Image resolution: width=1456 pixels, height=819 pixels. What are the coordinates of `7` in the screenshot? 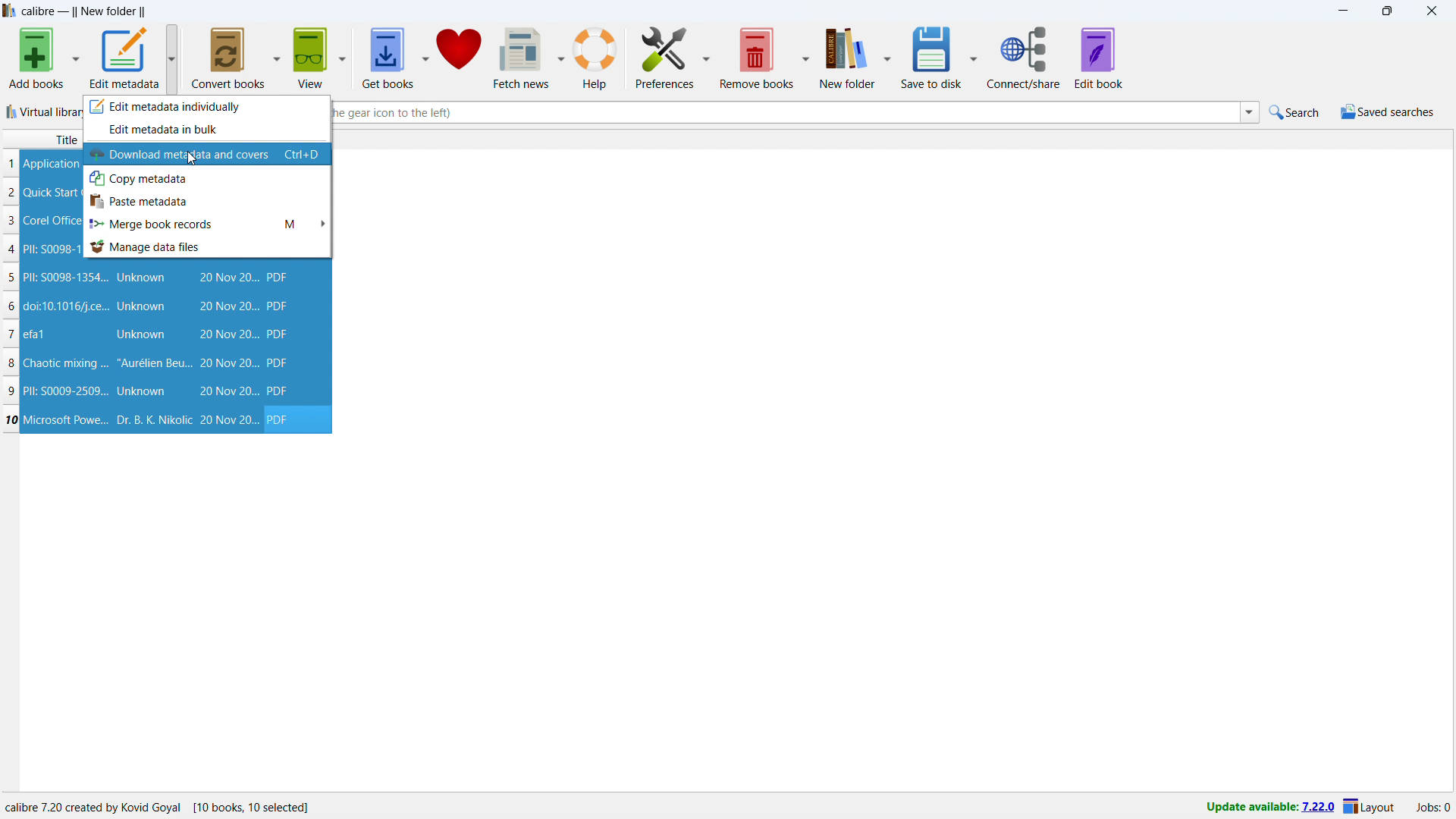 It's located at (11, 334).